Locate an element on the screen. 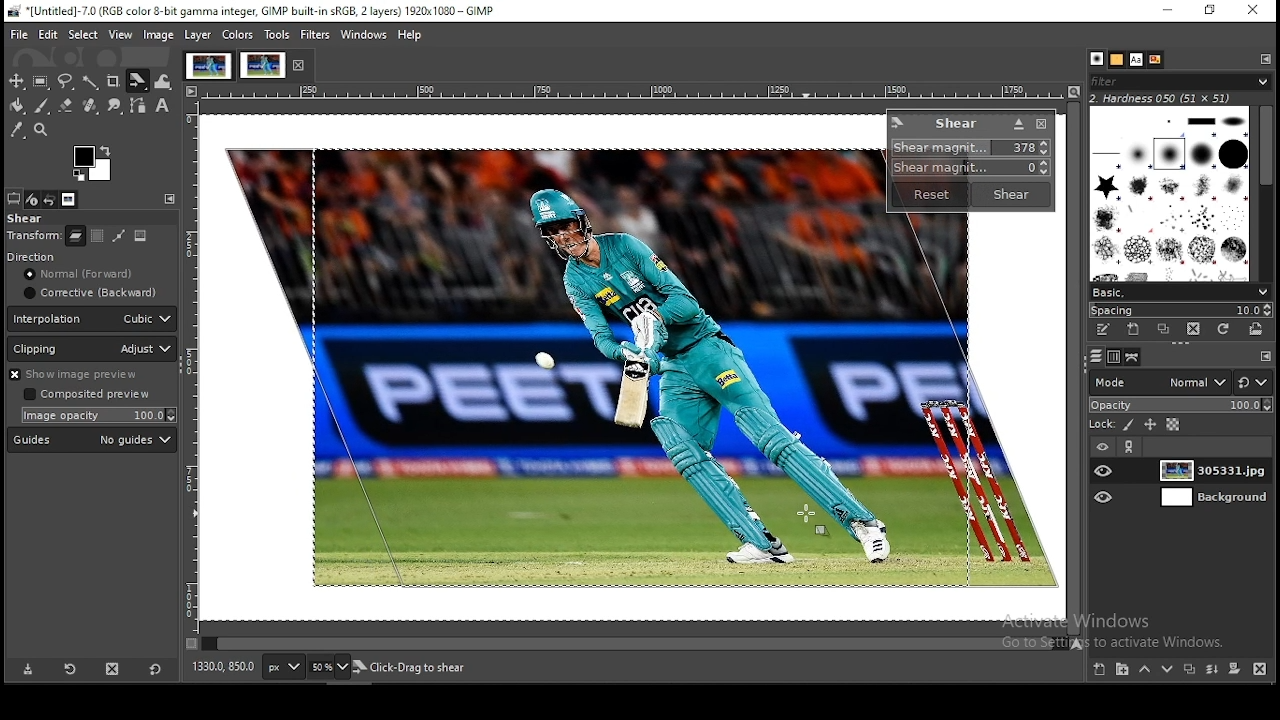  tool options is located at coordinates (13, 199).